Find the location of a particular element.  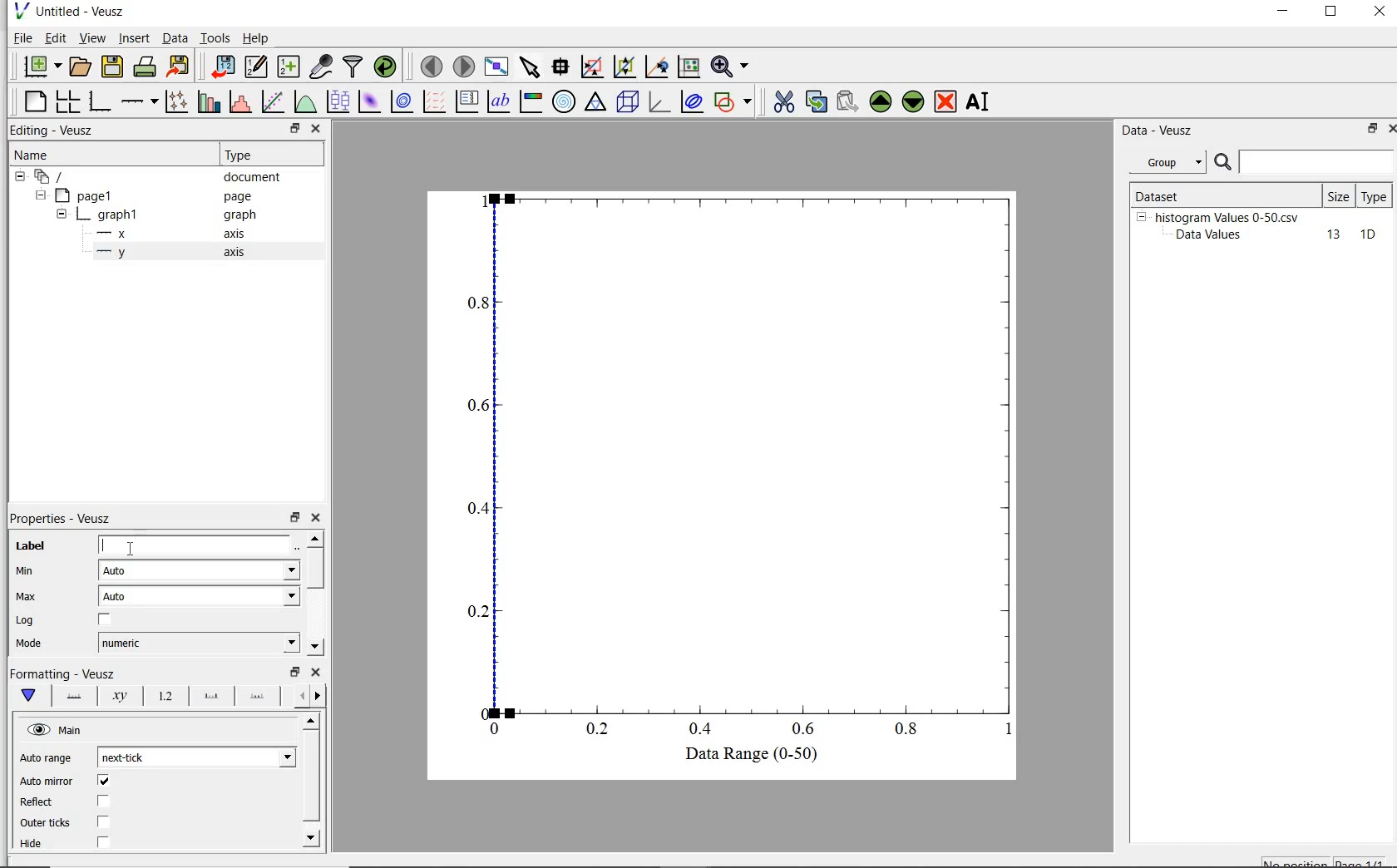

create new datasets using ranges, parametrically or as functions of existing datasets is located at coordinates (291, 65).